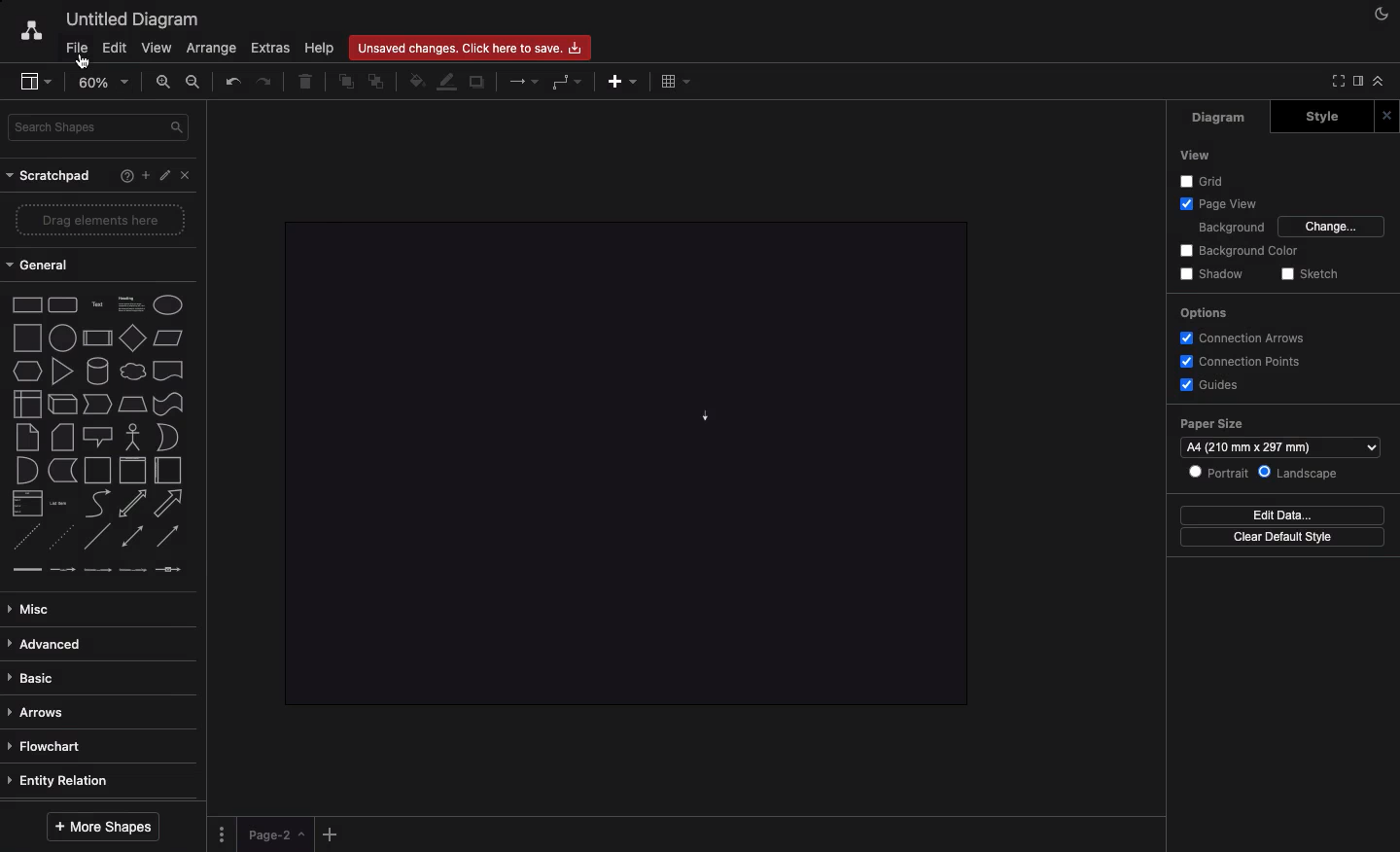  Describe the element at coordinates (1230, 226) in the screenshot. I see `Background` at that location.